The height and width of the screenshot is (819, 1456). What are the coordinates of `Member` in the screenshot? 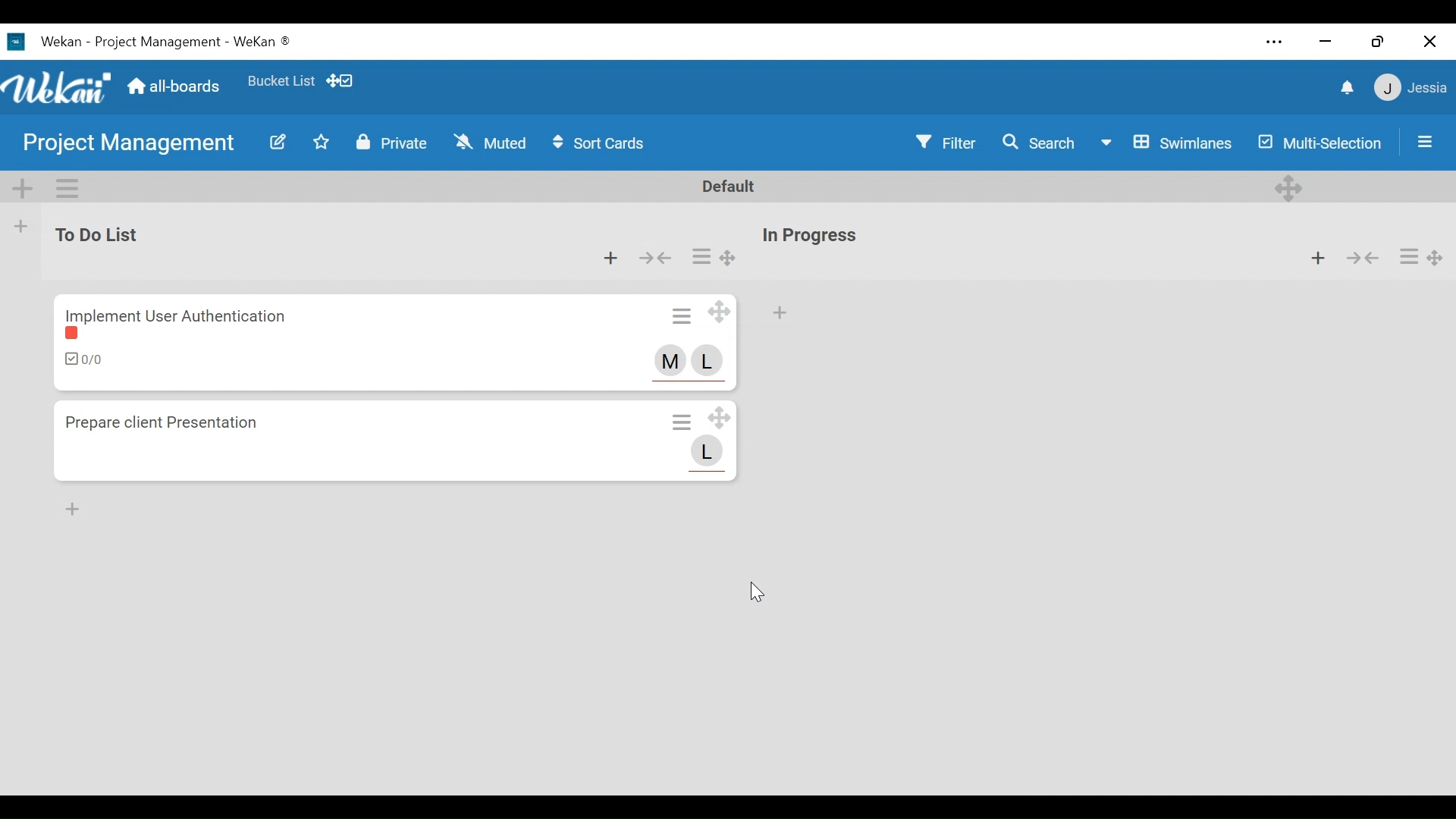 It's located at (671, 360).